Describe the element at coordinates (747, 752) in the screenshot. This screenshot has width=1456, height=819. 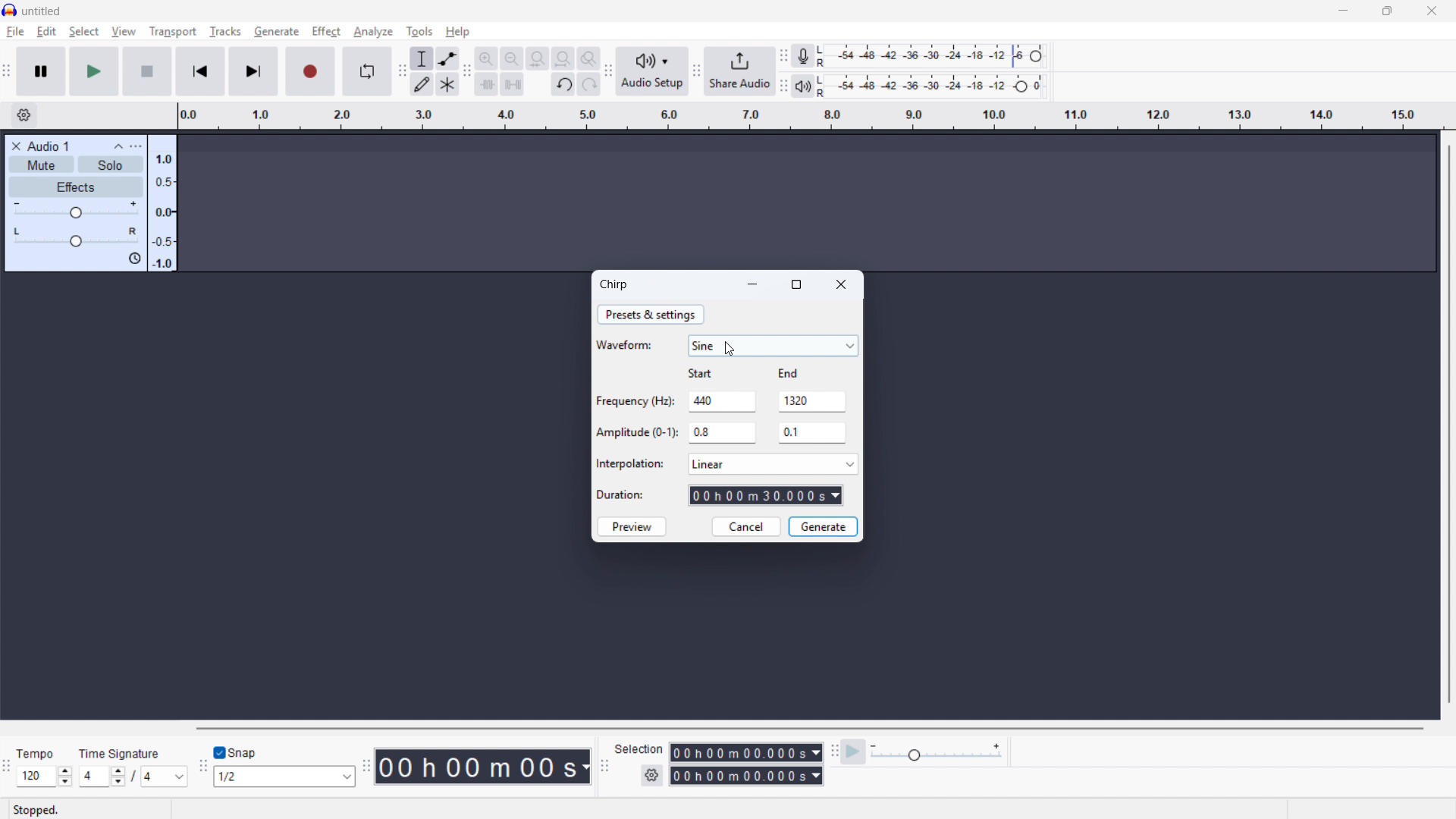
I see `Selection start time ` at that location.